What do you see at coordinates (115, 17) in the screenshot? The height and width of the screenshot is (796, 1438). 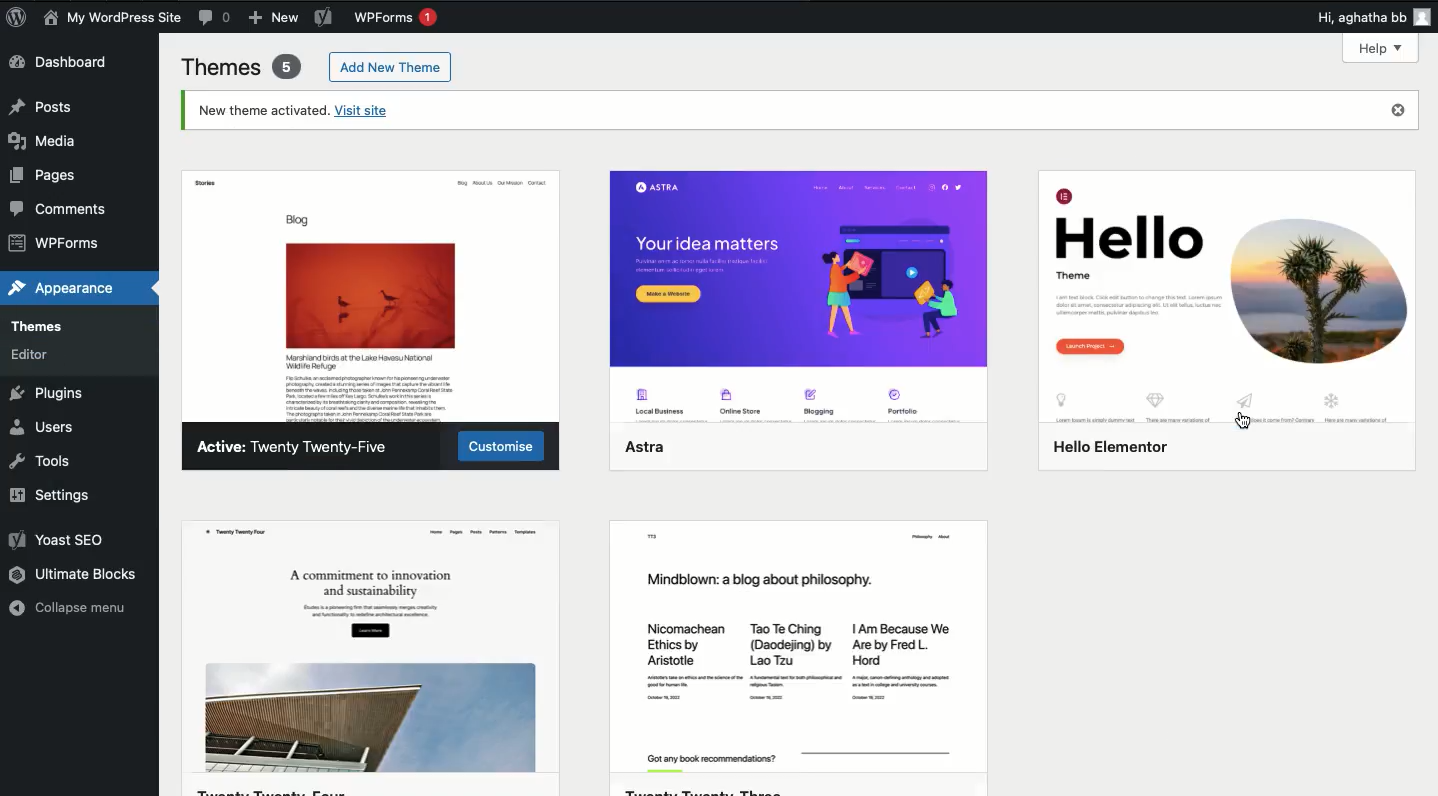 I see `News` at bounding box center [115, 17].